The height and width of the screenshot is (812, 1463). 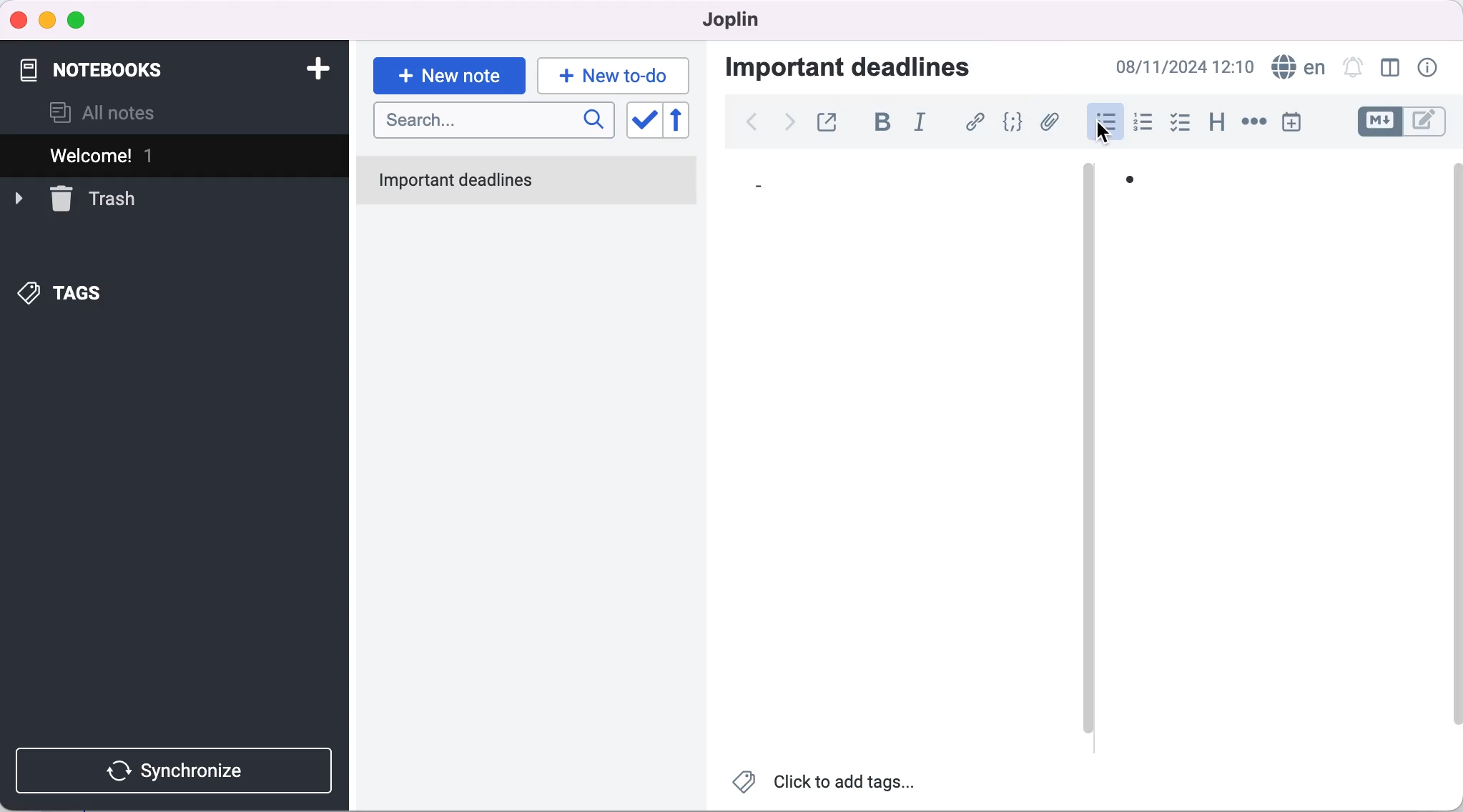 I want to click on click to add tags, so click(x=829, y=784).